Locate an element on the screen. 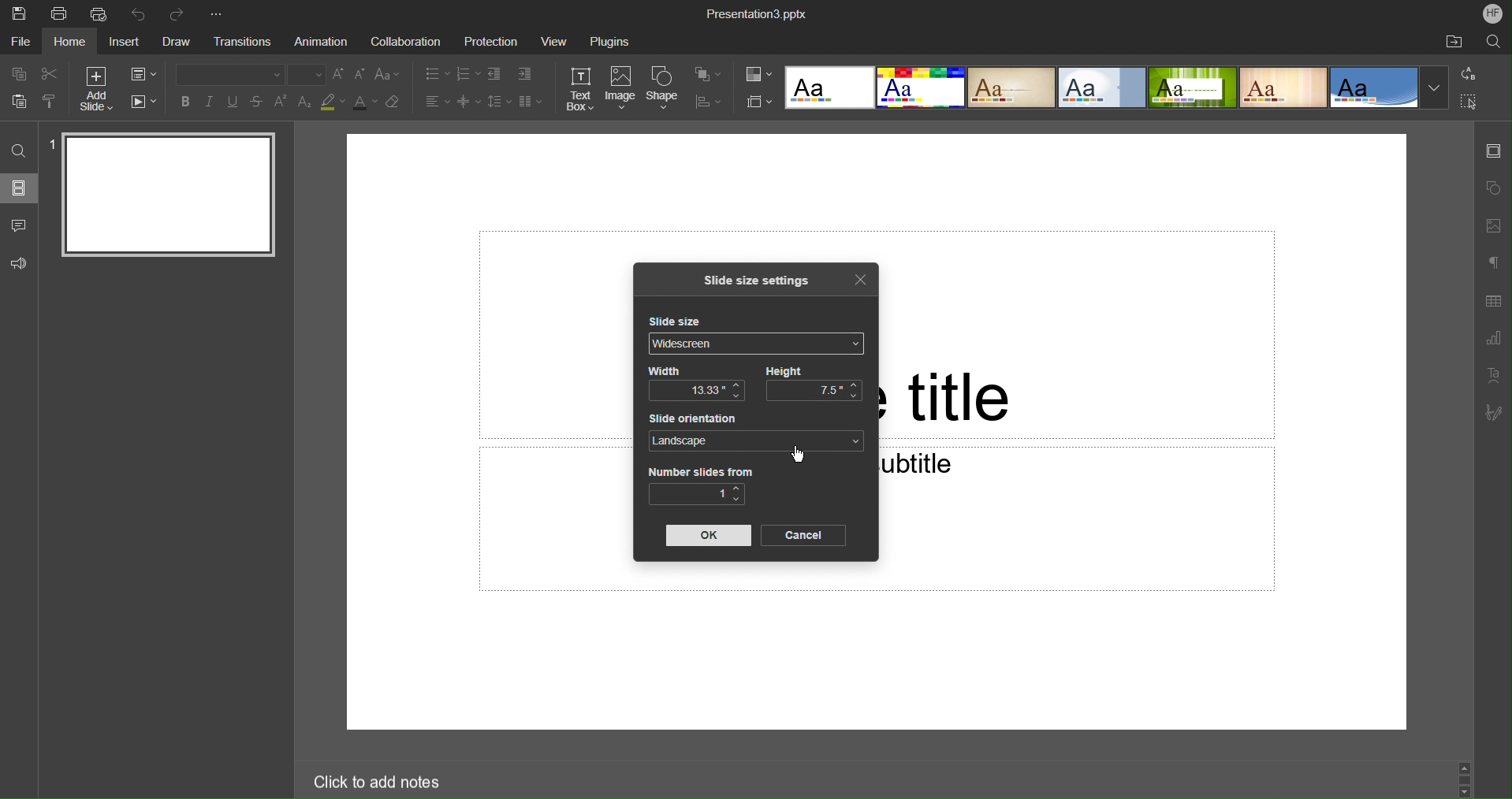  Numbered List is located at coordinates (467, 73).